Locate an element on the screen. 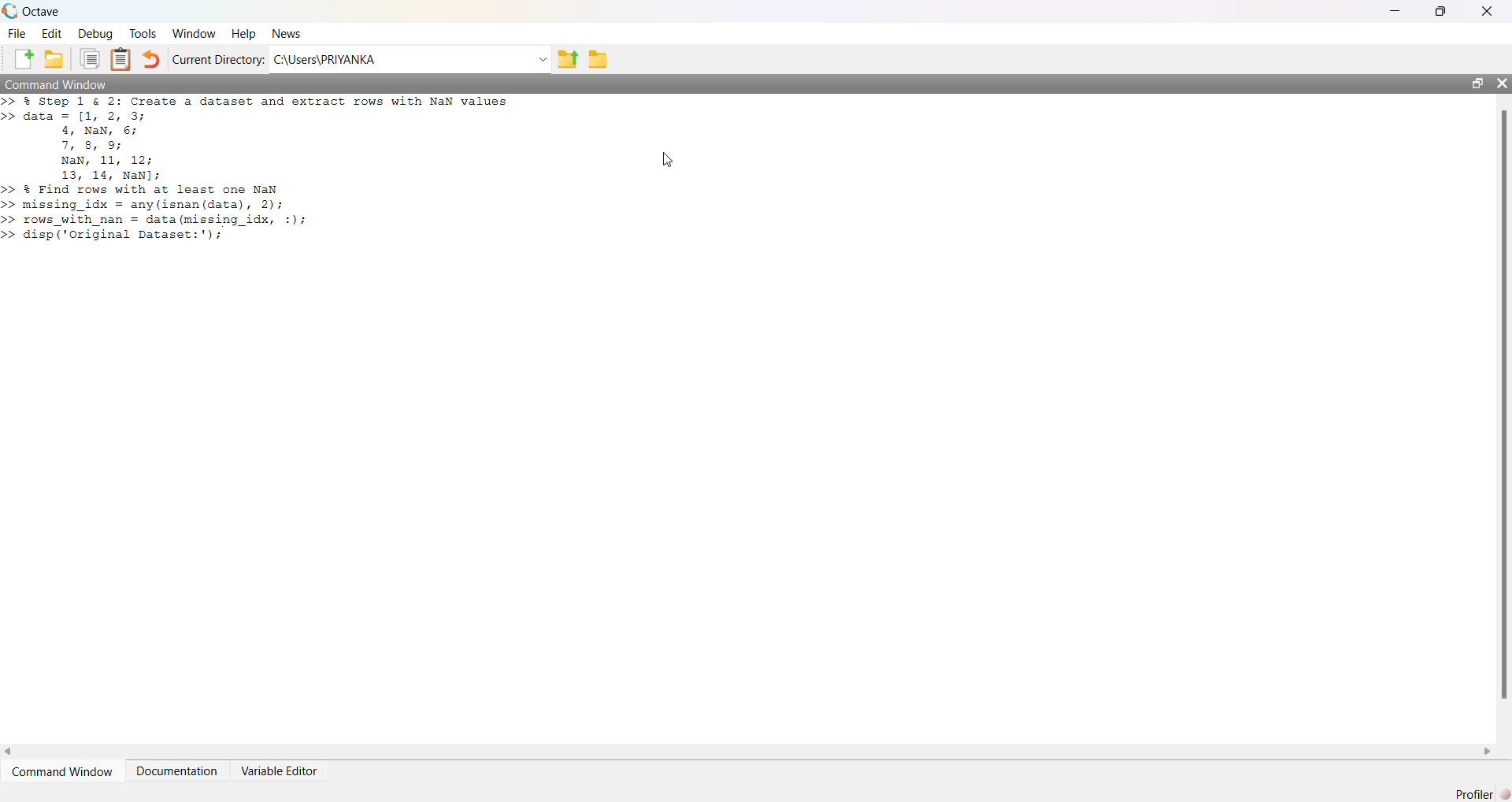 Image resolution: width=1512 pixels, height=802 pixels. previous folder is located at coordinates (567, 61).